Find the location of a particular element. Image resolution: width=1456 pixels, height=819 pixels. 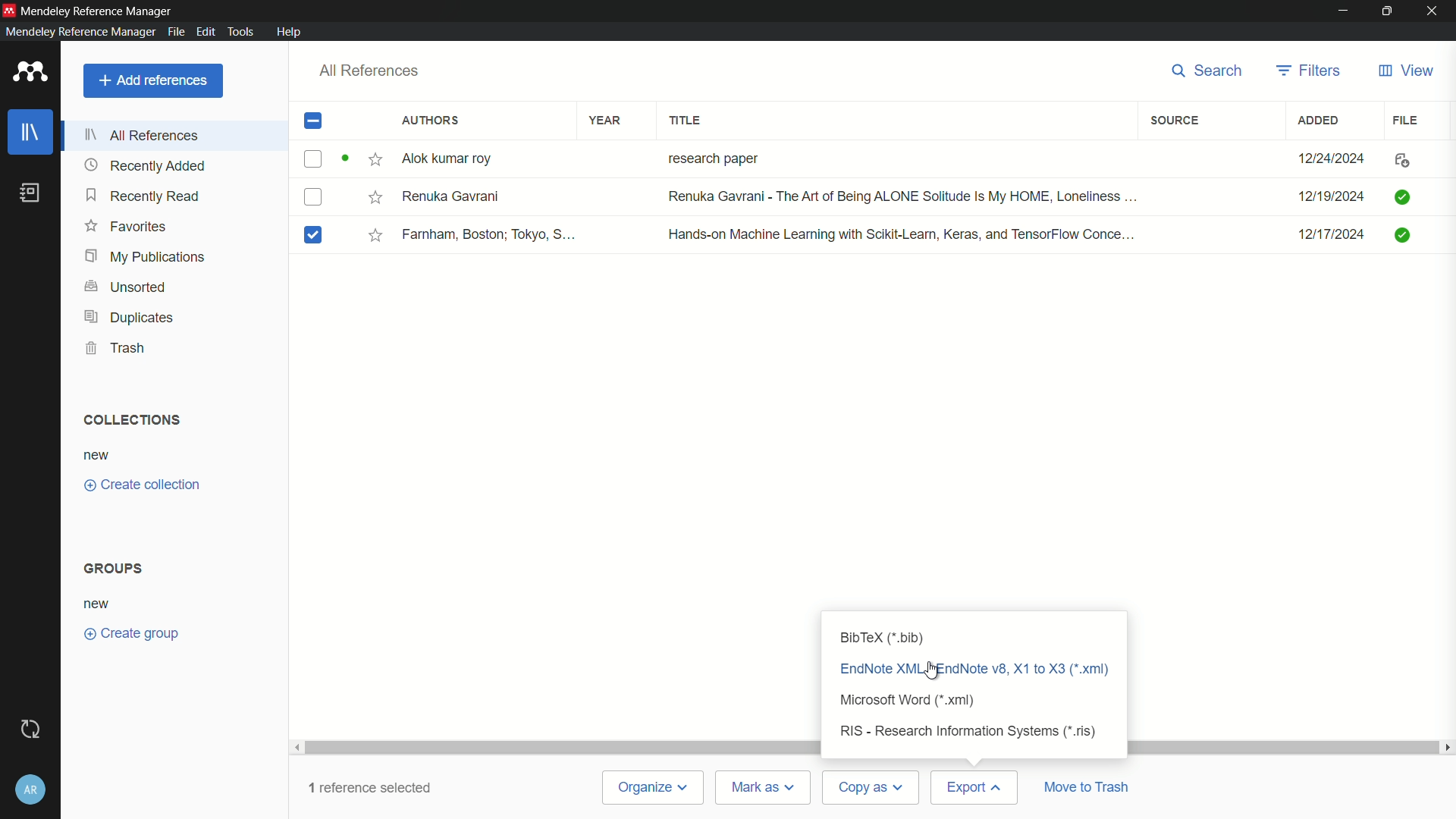

12/17/2024 is located at coordinates (1331, 234).